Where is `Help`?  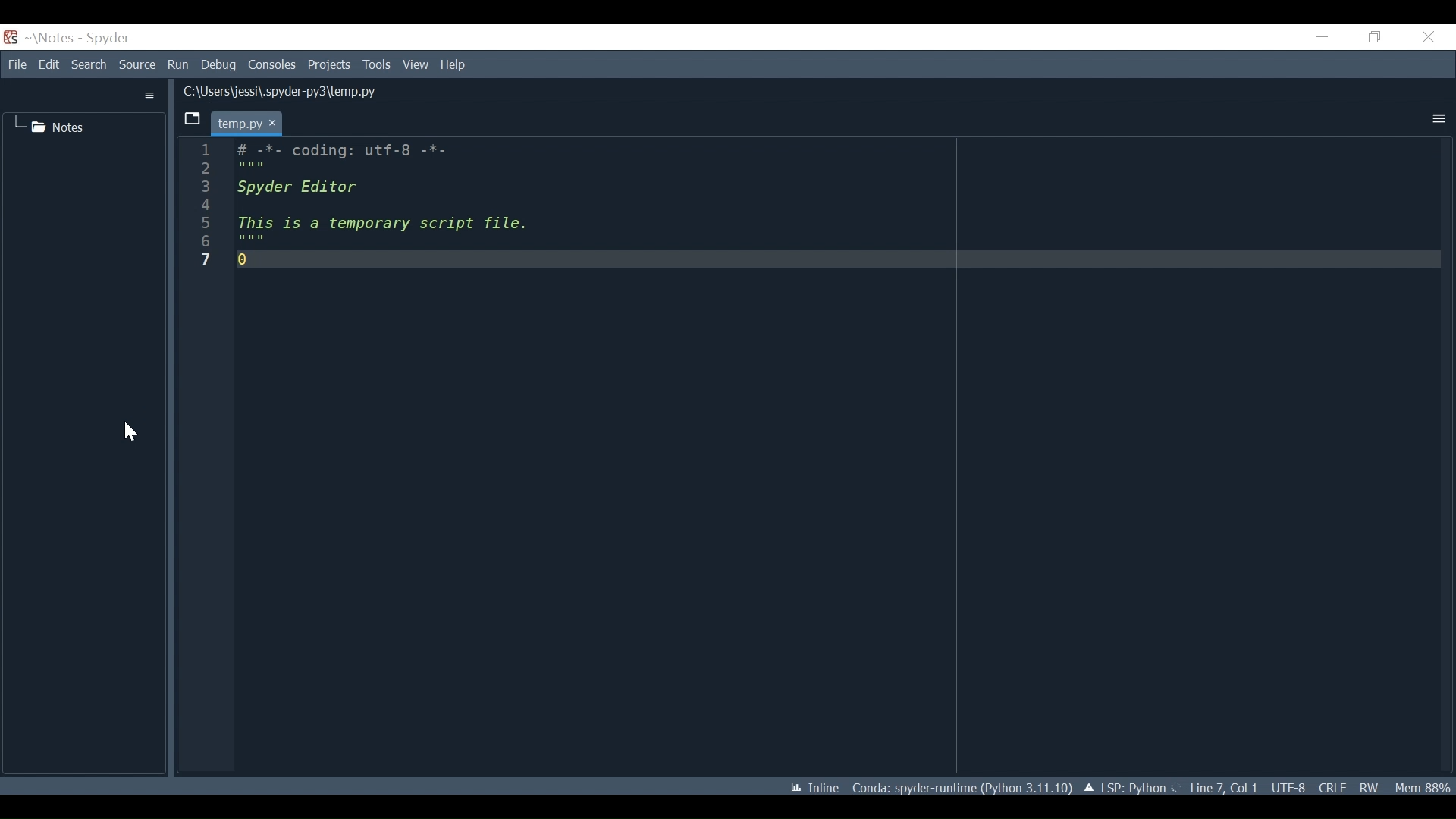
Help is located at coordinates (454, 67).